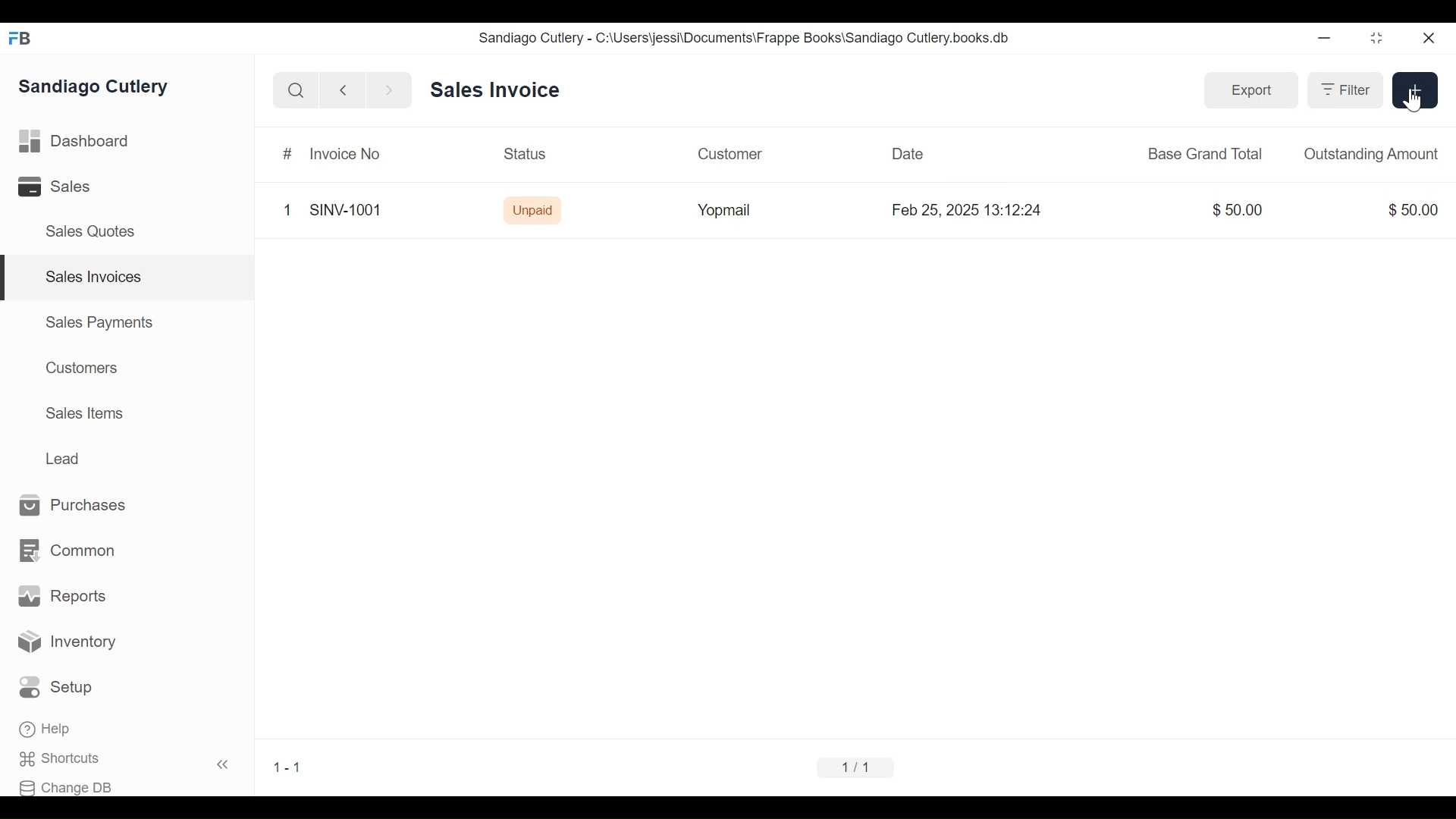  What do you see at coordinates (860, 767) in the screenshot?
I see `1/1` at bounding box center [860, 767].